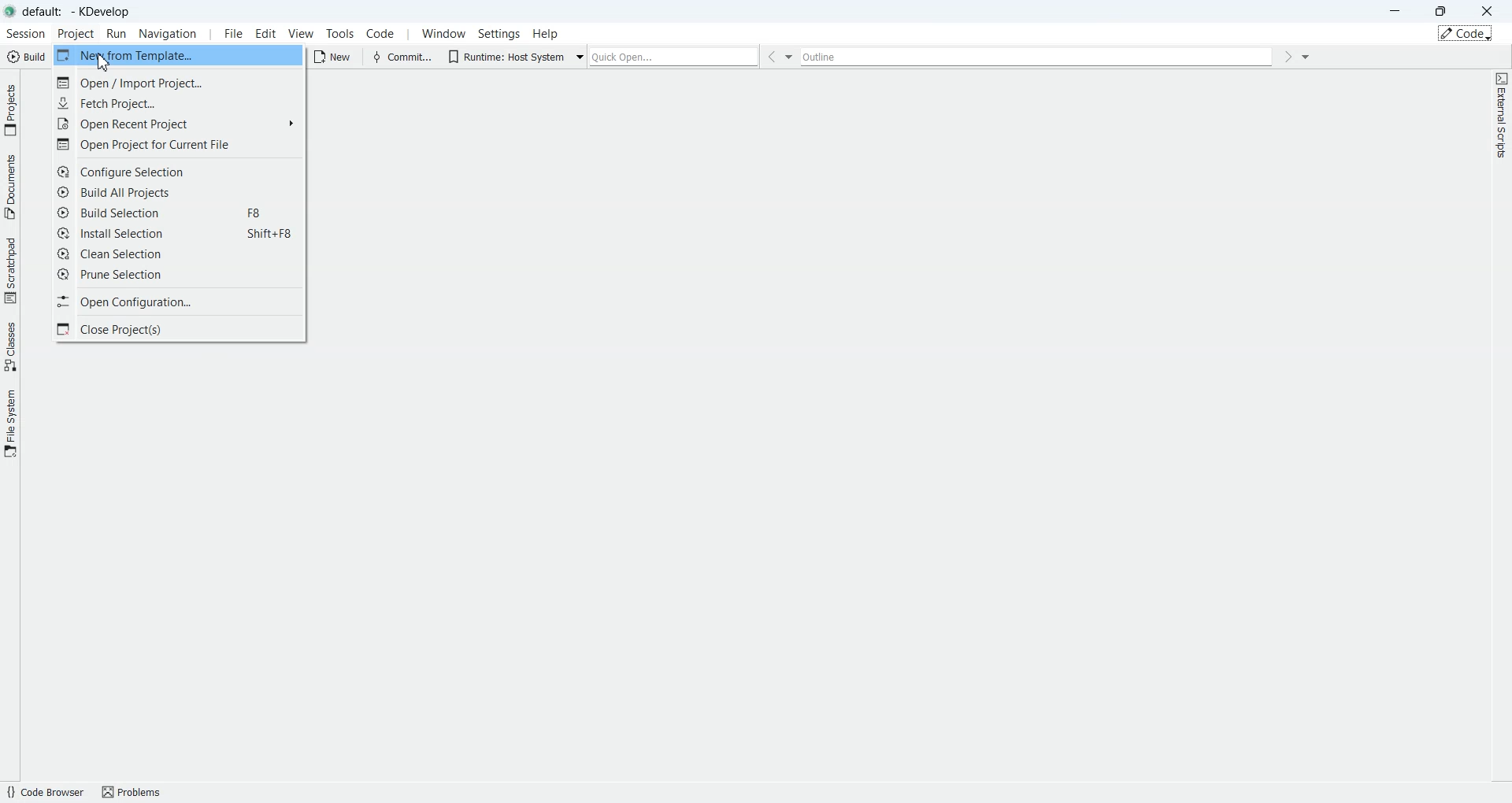 The image size is (1512, 803). Describe the element at coordinates (1306, 56) in the screenshot. I see `Drop down box` at that location.